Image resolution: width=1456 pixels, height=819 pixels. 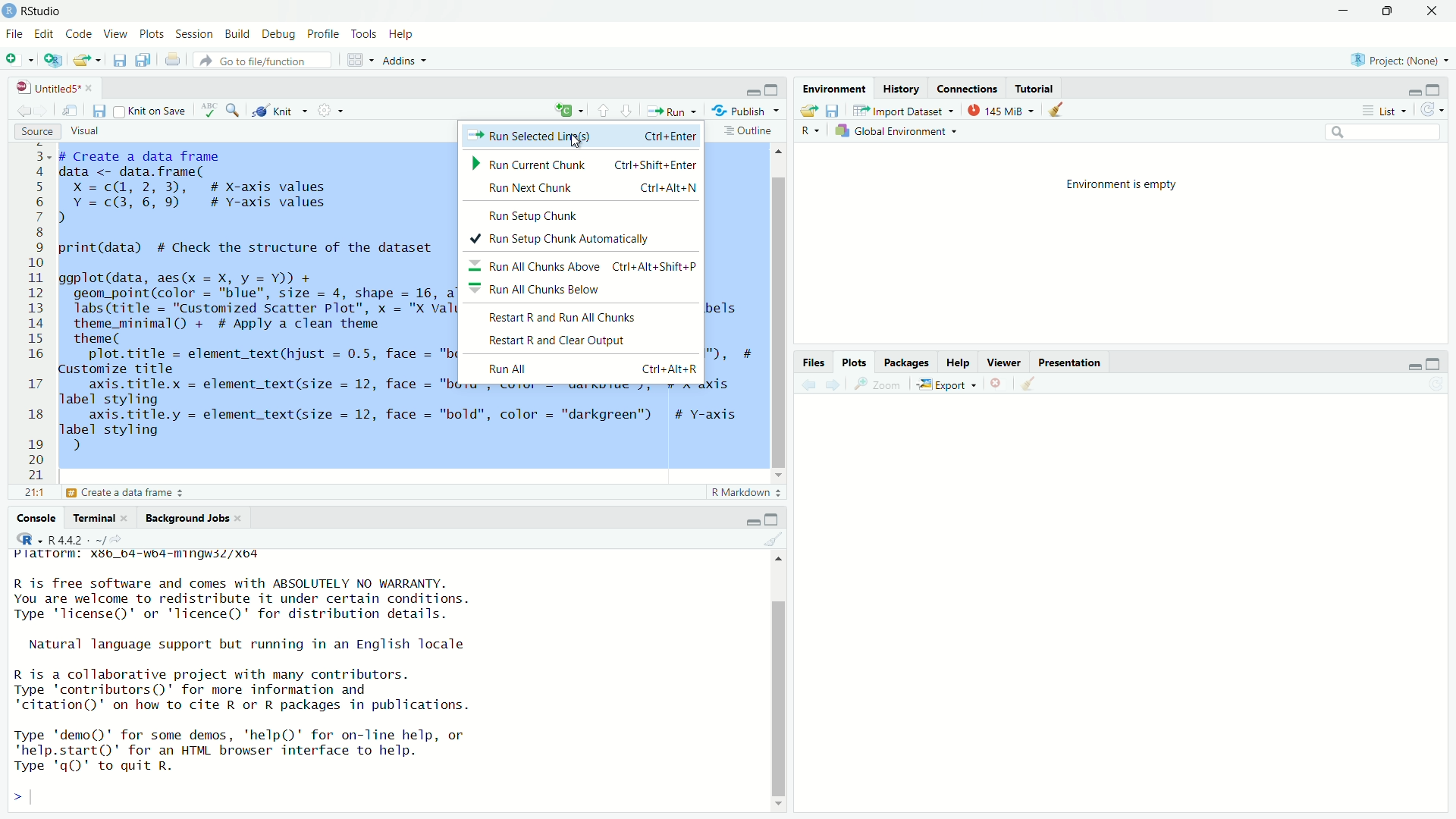 What do you see at coordinates (752, 93) in the screenshot?
I see `minimize` at bounding box center [752, 93].